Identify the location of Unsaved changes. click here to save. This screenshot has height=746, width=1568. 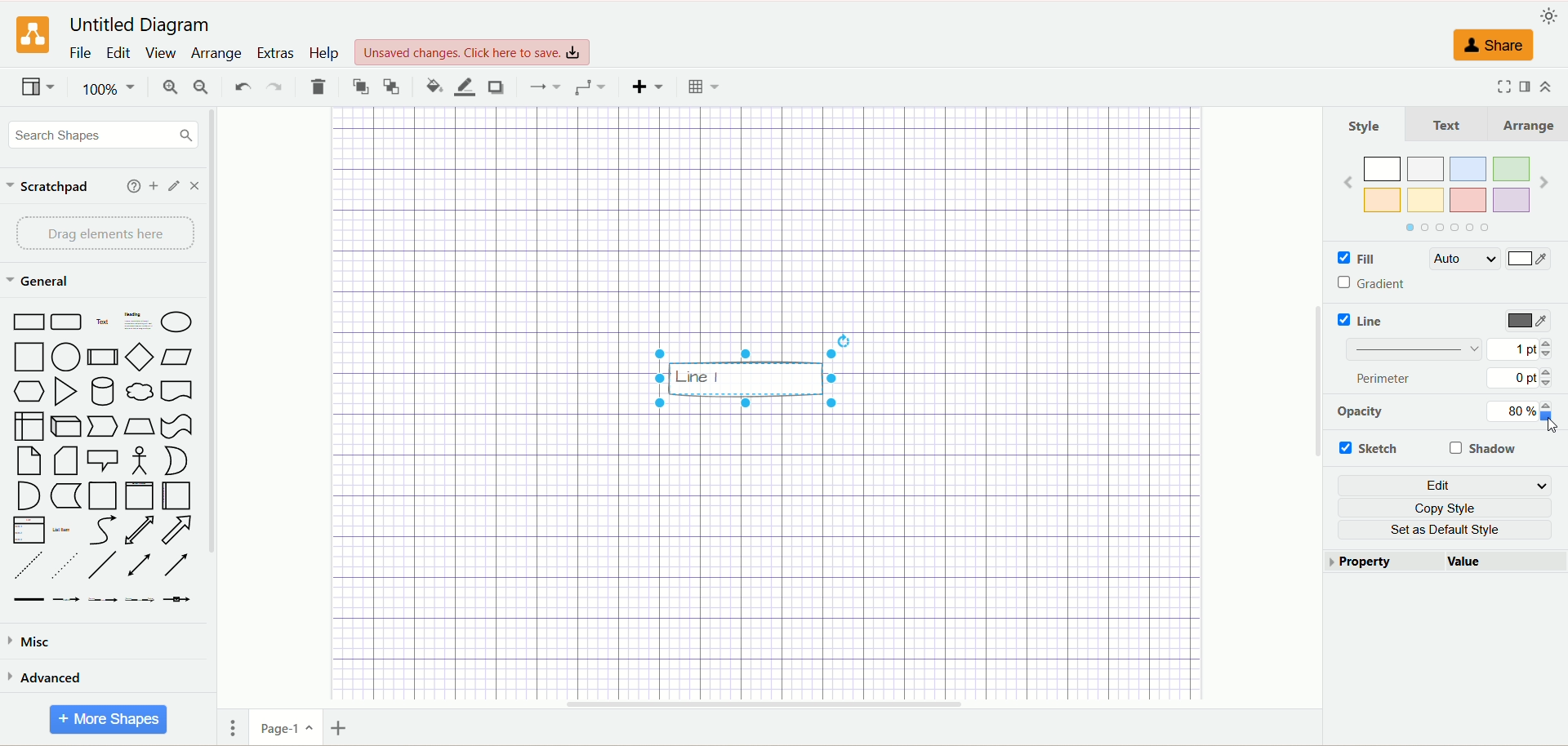
(472, 53).